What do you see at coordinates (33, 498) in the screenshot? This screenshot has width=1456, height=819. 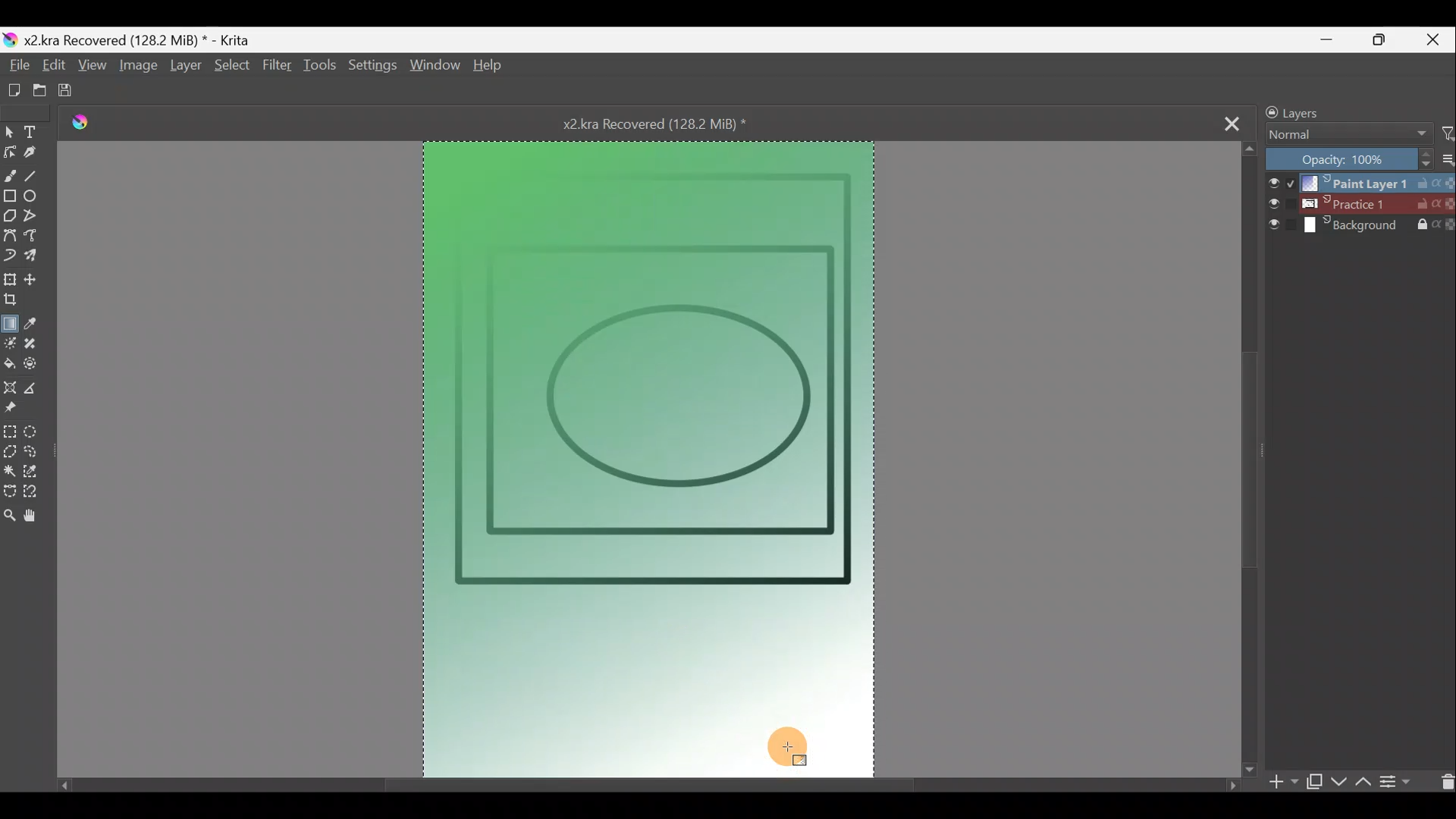 I see `Magnetic curve selection tool` at bounding box center [33, 498].